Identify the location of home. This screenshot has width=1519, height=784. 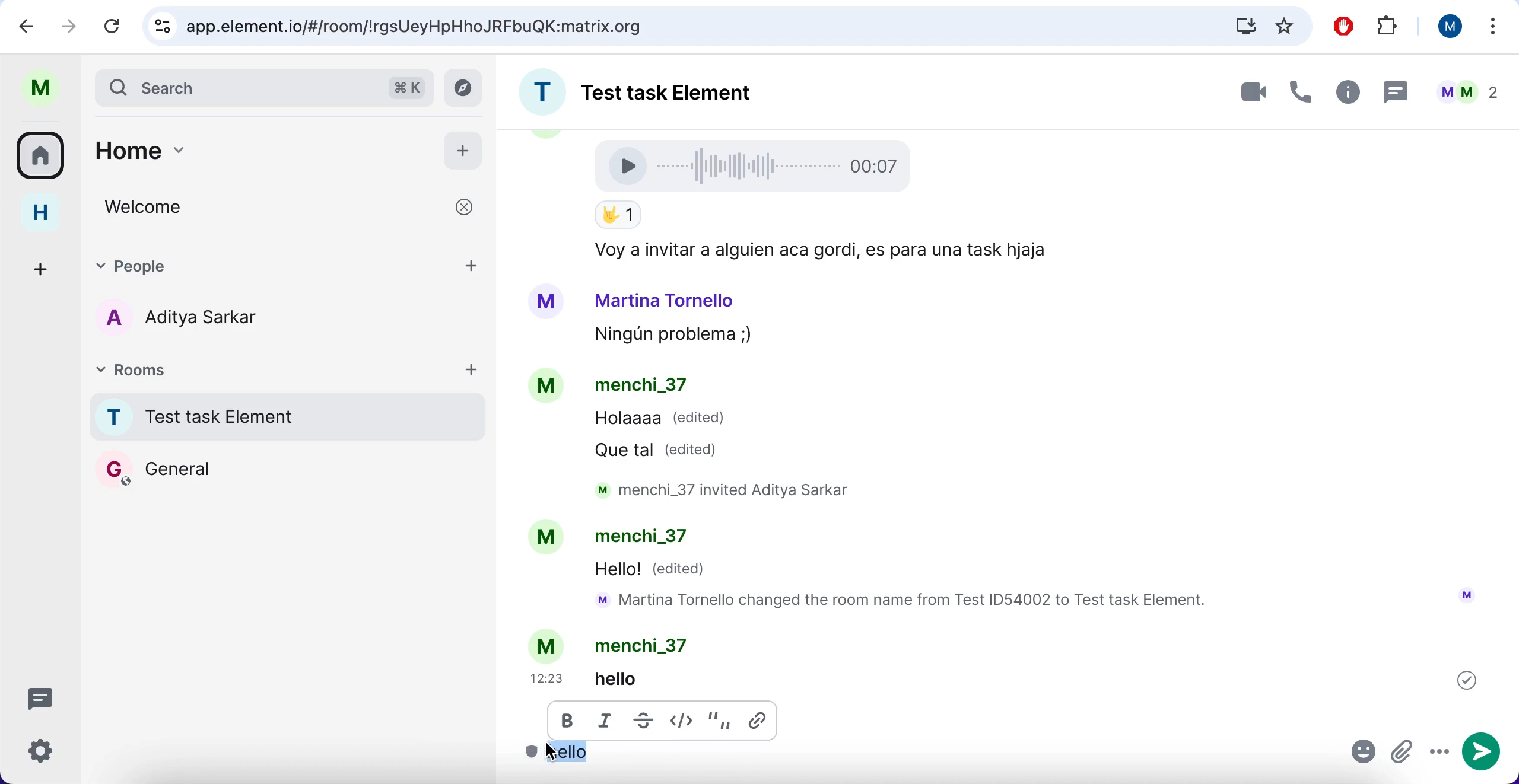
(247, 157).